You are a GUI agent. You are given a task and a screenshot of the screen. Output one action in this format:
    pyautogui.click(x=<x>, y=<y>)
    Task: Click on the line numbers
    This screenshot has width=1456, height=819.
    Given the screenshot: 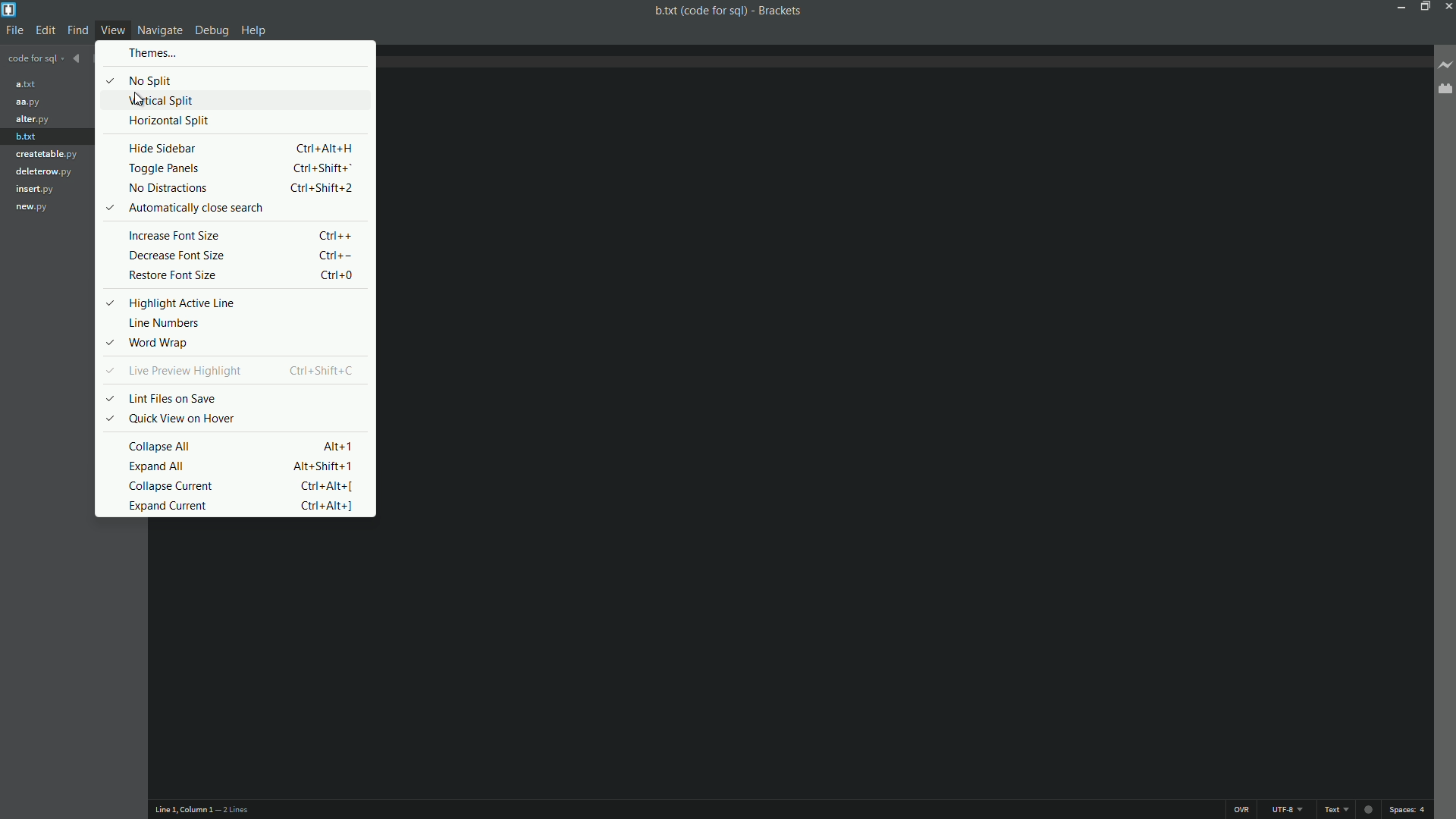 What is the action you would take?
    pyautogui.click(x=242, y=324)
    